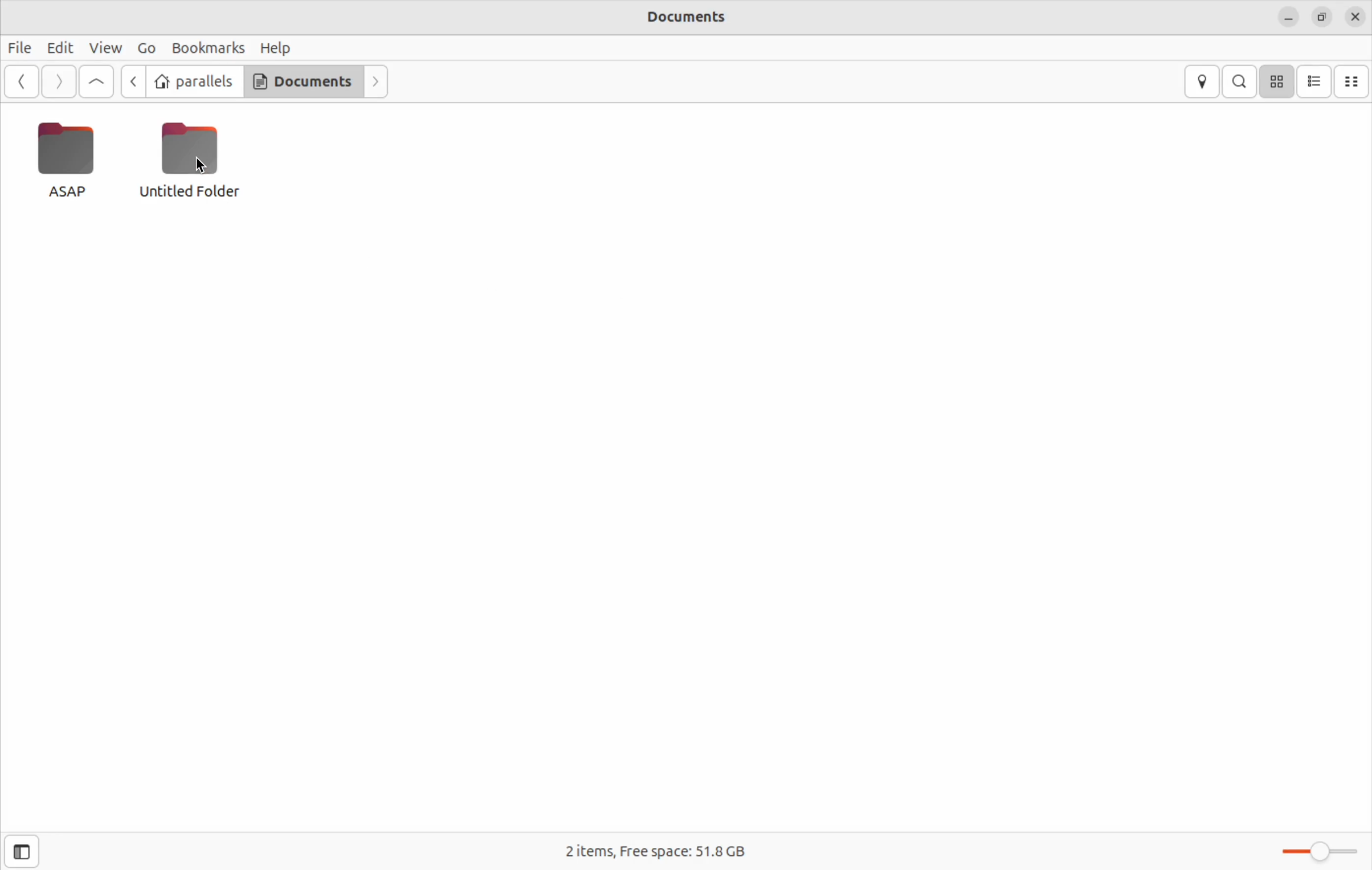 This screenshot has width=1372, height=870. Describe the element at coordinates (375, 81) in the screenshot. I see `forwards` at that location.